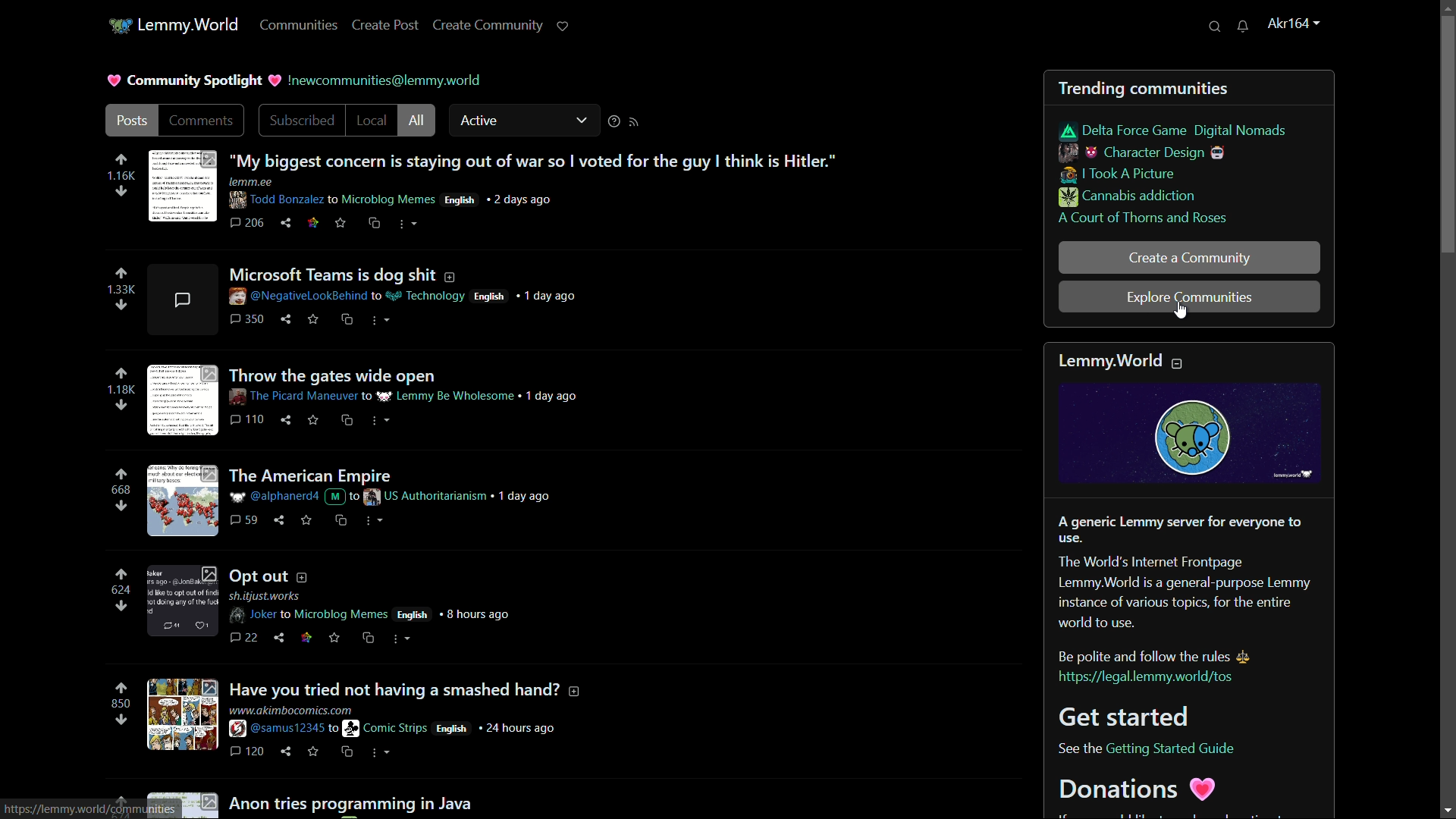 Image resolution: width=1456 pixels, height=819 pixels. What do you see at coordinates (287, 752) in the screenshot?
I see `share` at bounding box center [287, 752].